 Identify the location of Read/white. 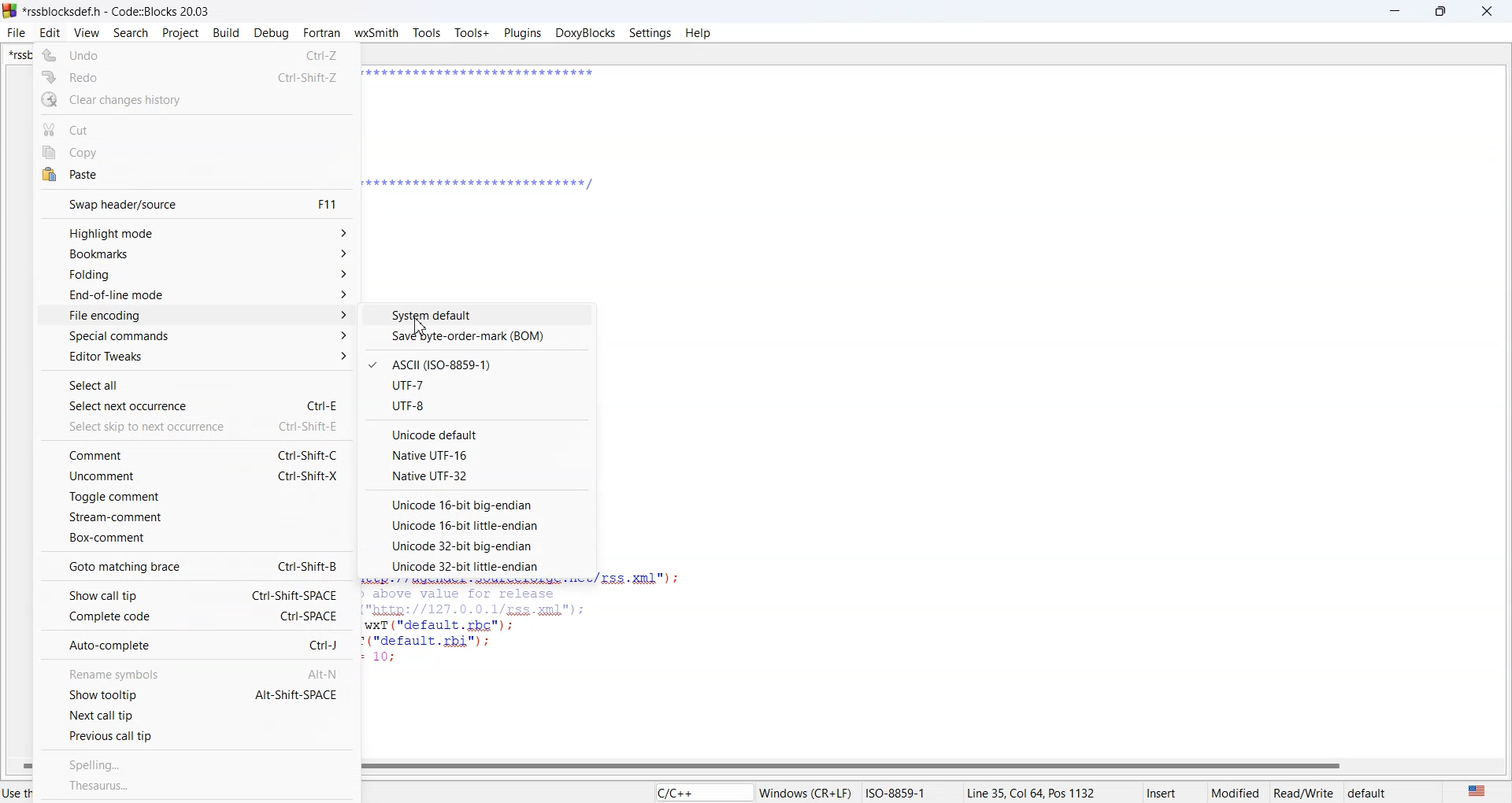
(1304, 791).